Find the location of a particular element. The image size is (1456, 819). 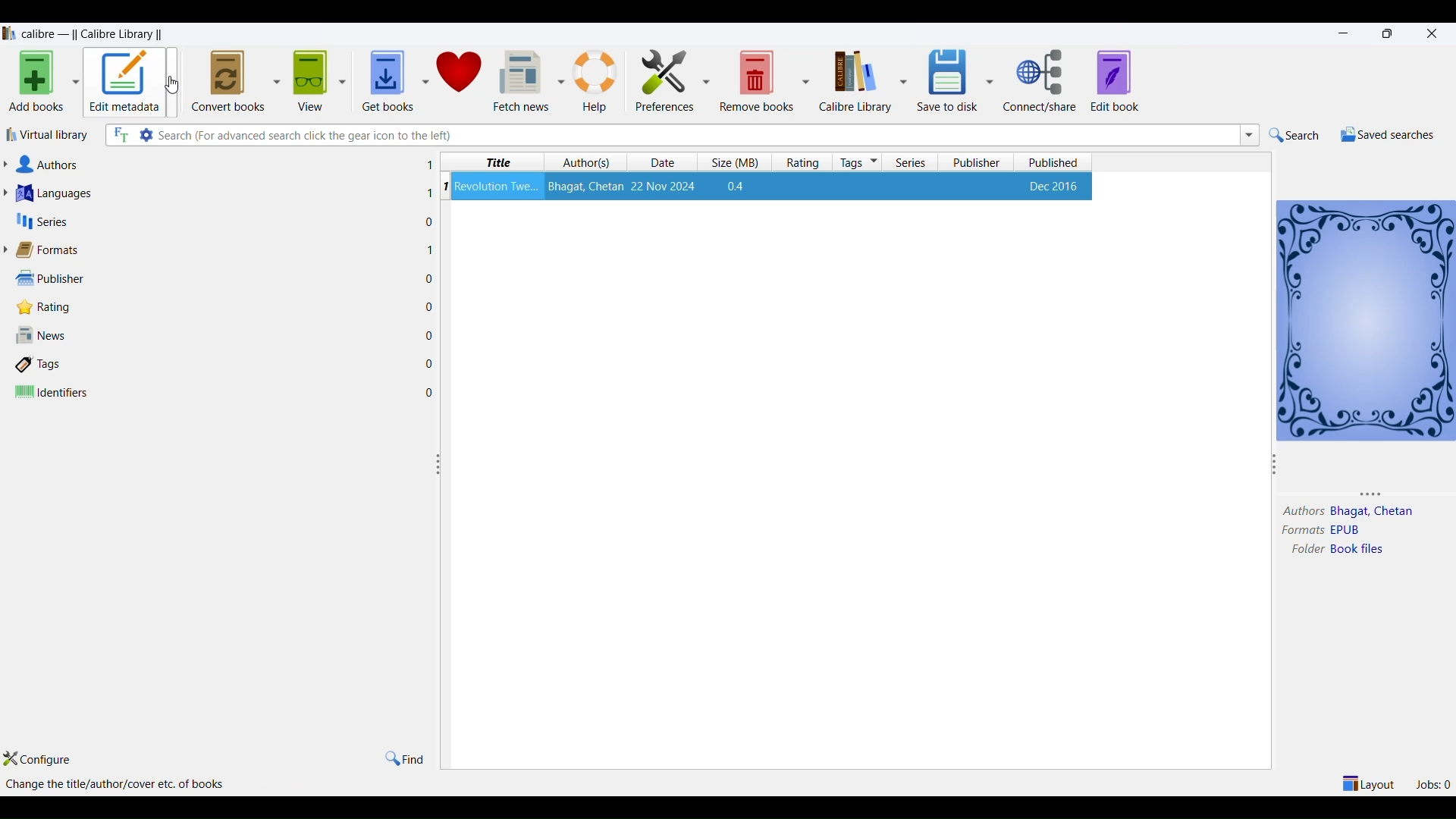

languages is located at coordinates (58, 193).